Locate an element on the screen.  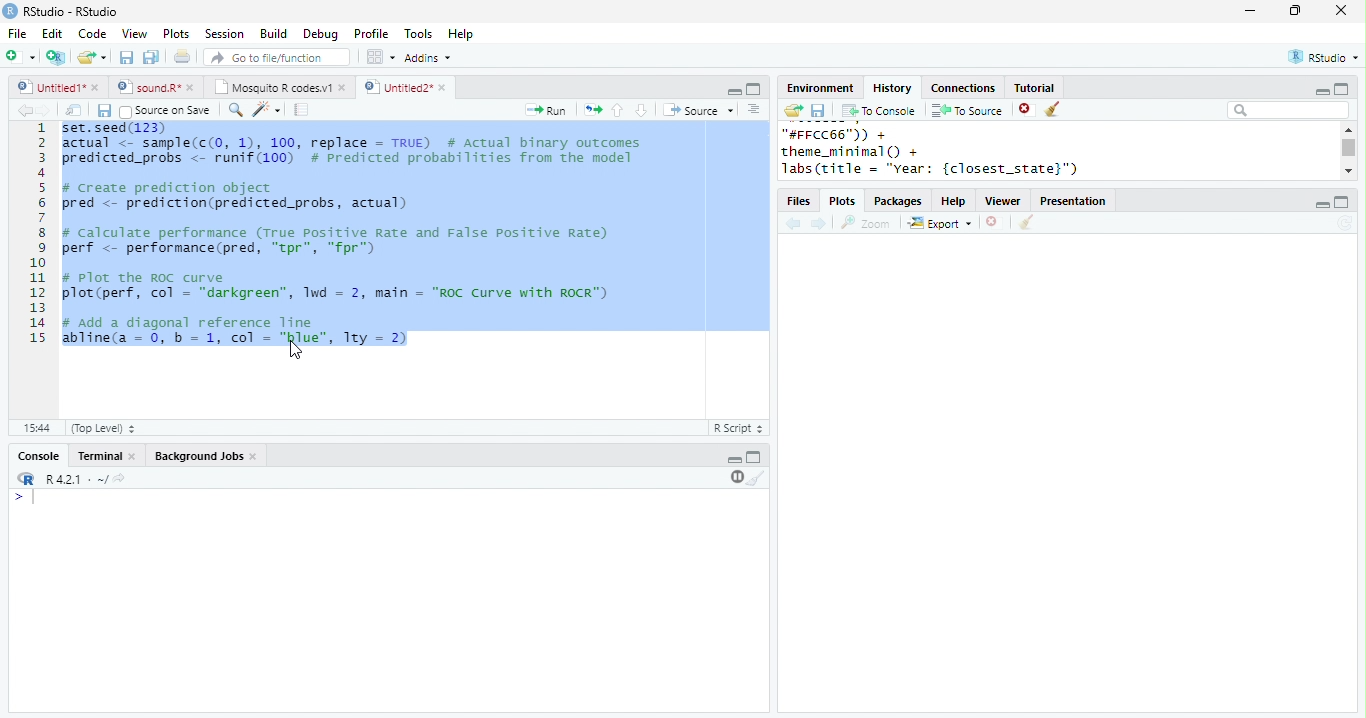
Zoom is located at coordinates (866, 223).